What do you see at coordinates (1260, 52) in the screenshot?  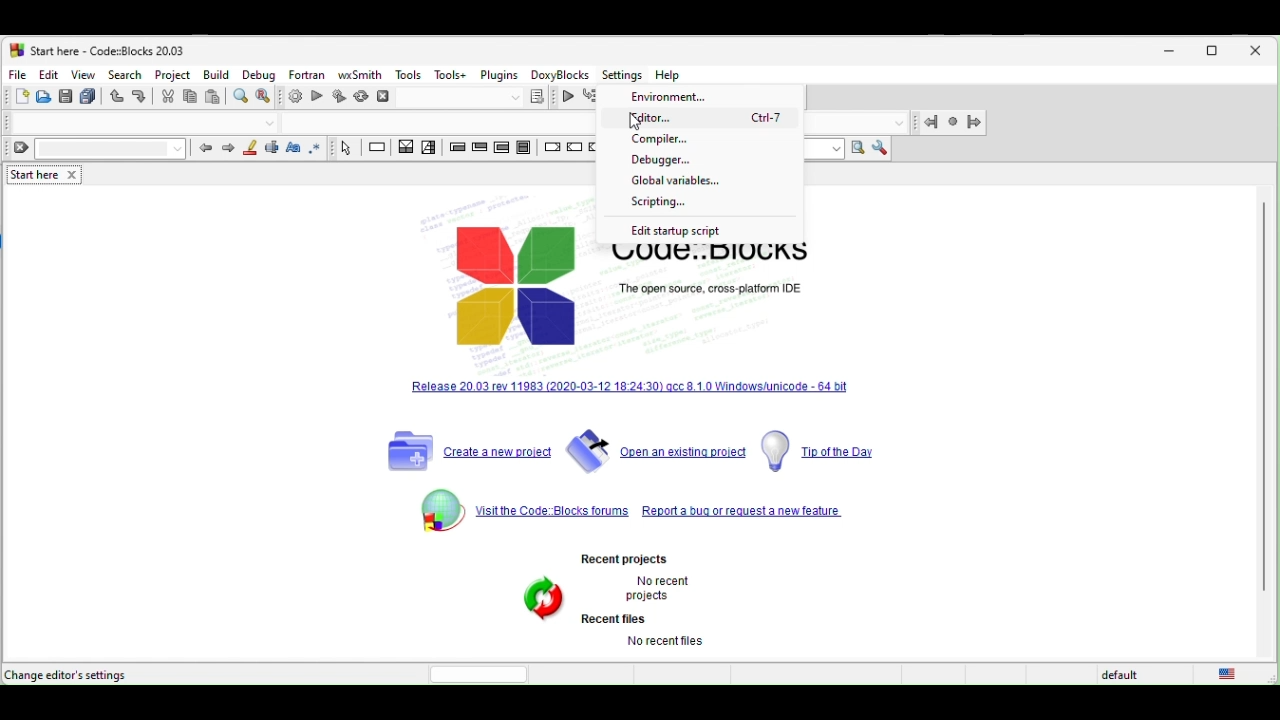 I see `close` at bounding box center [1260, 52].